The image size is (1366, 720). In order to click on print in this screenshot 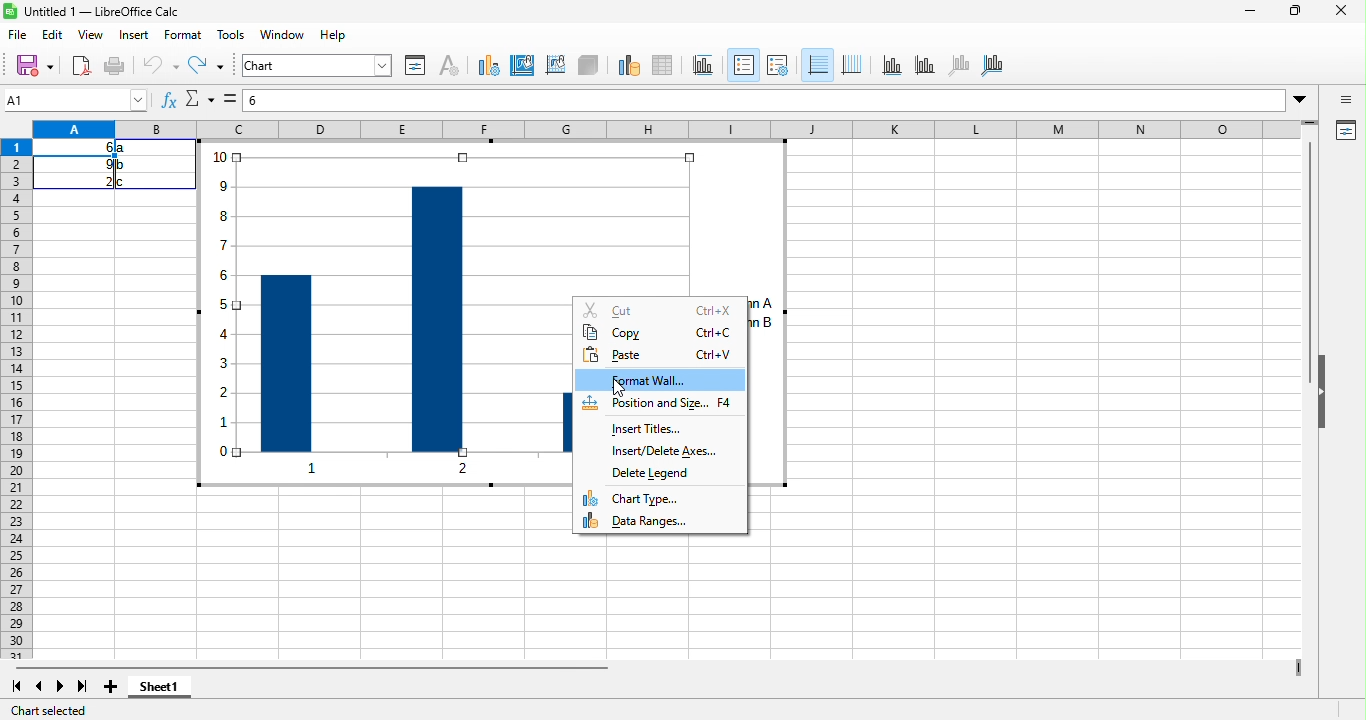, I will do `click(115, 66)`.